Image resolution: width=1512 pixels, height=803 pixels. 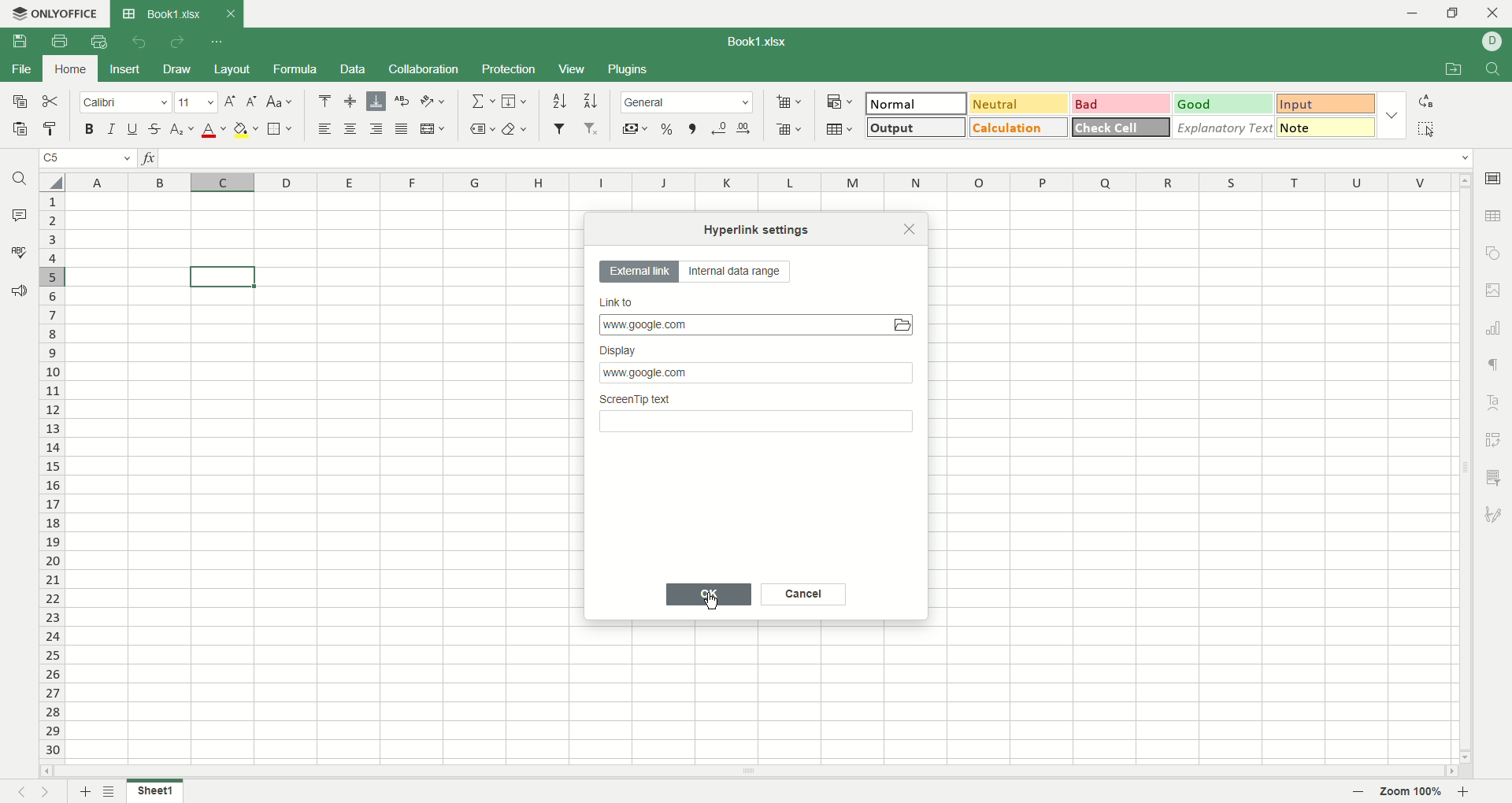 I want to click on view, so click(x=571, y=68).